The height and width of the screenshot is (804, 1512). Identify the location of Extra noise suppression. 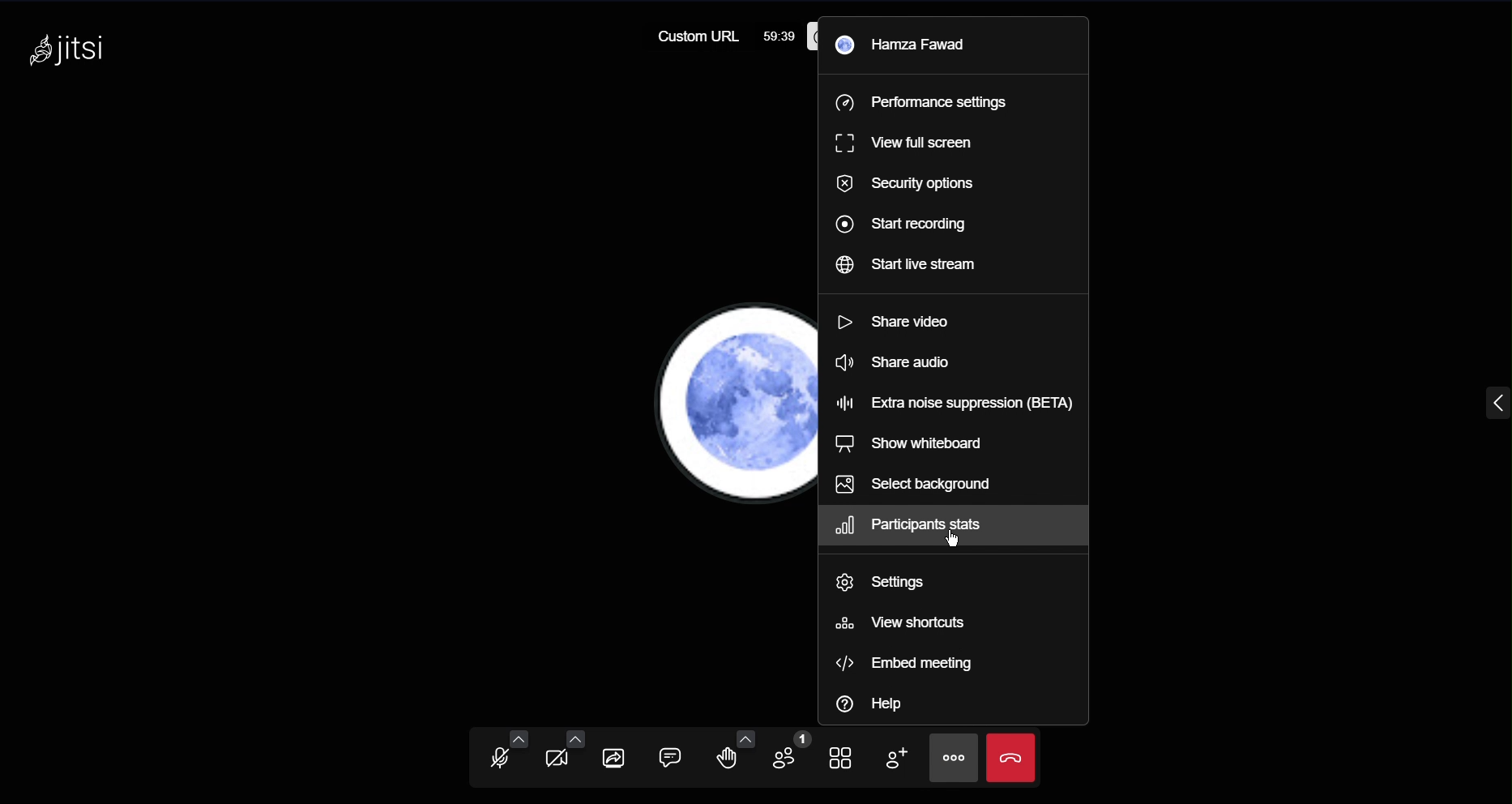
(949, 403).